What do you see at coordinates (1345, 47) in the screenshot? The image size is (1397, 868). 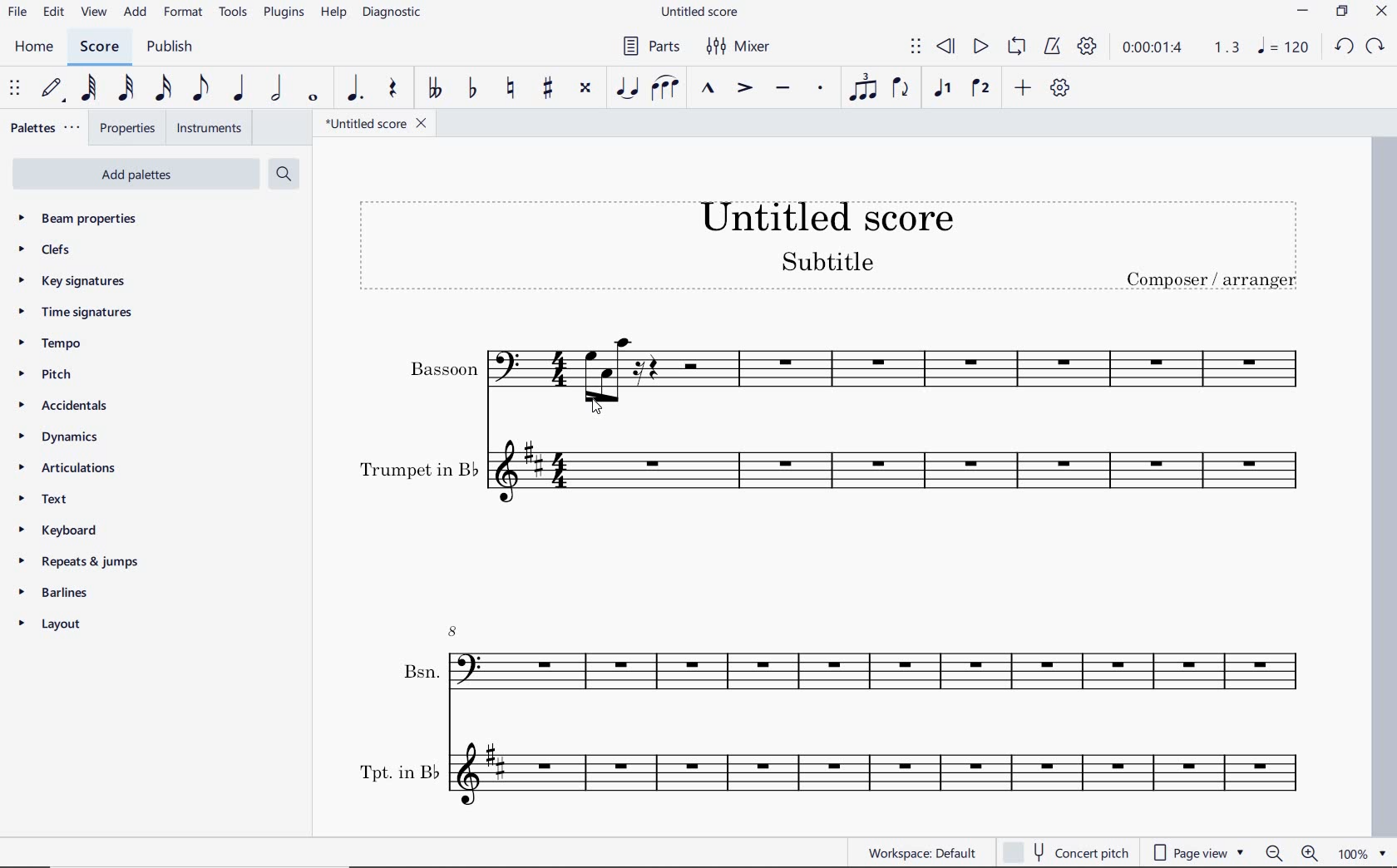 I see `UNDO` at bounding box center [1345, 47].